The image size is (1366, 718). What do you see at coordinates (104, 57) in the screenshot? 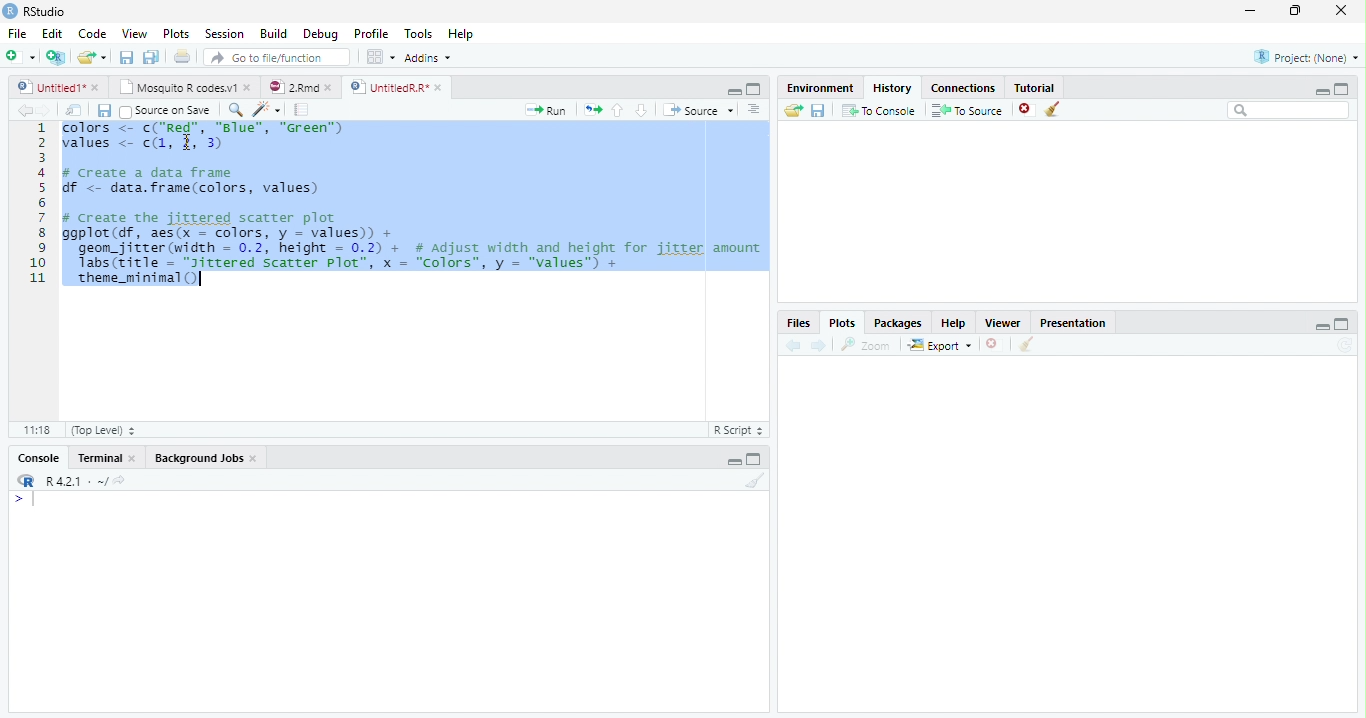
I see `Open recent files` at bounding box center [104, 57].